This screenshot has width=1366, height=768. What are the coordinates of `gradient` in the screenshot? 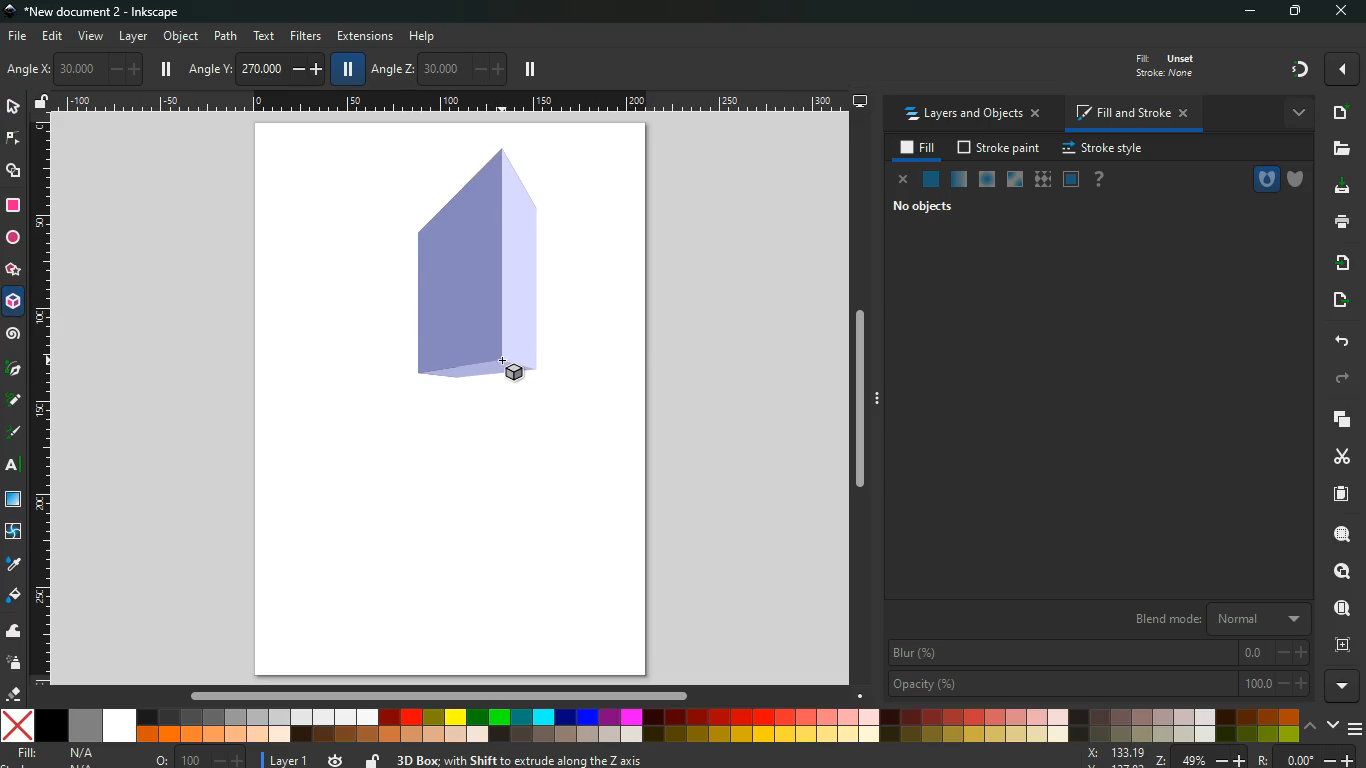 It's located at (1301, 68).